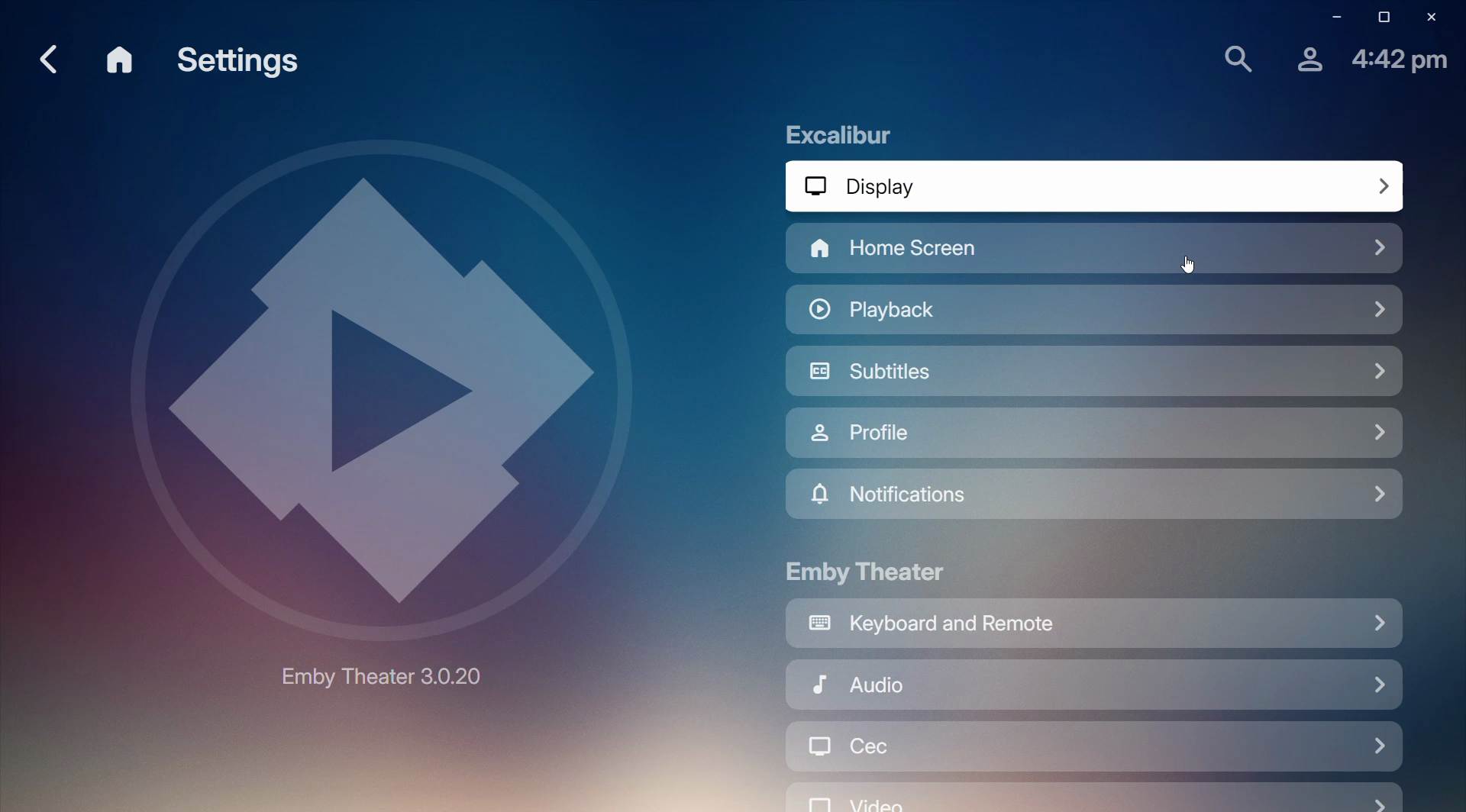 This screenshot has width=1466, height=812. Describe the element at coordinates (1305, 59) in the screenshot. I see `Profile` at that location.